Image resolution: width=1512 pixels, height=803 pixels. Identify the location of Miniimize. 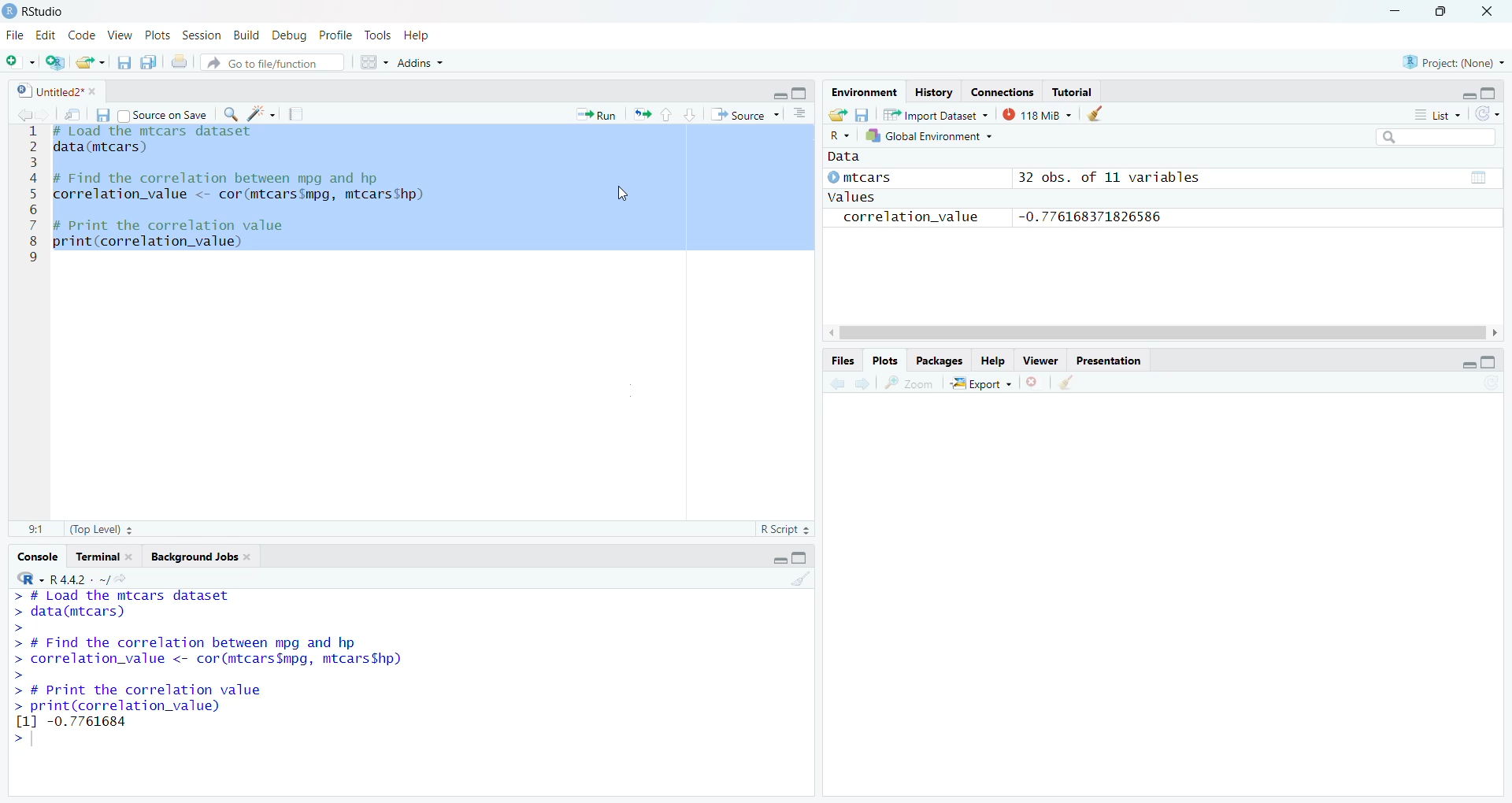
(1394, 10).